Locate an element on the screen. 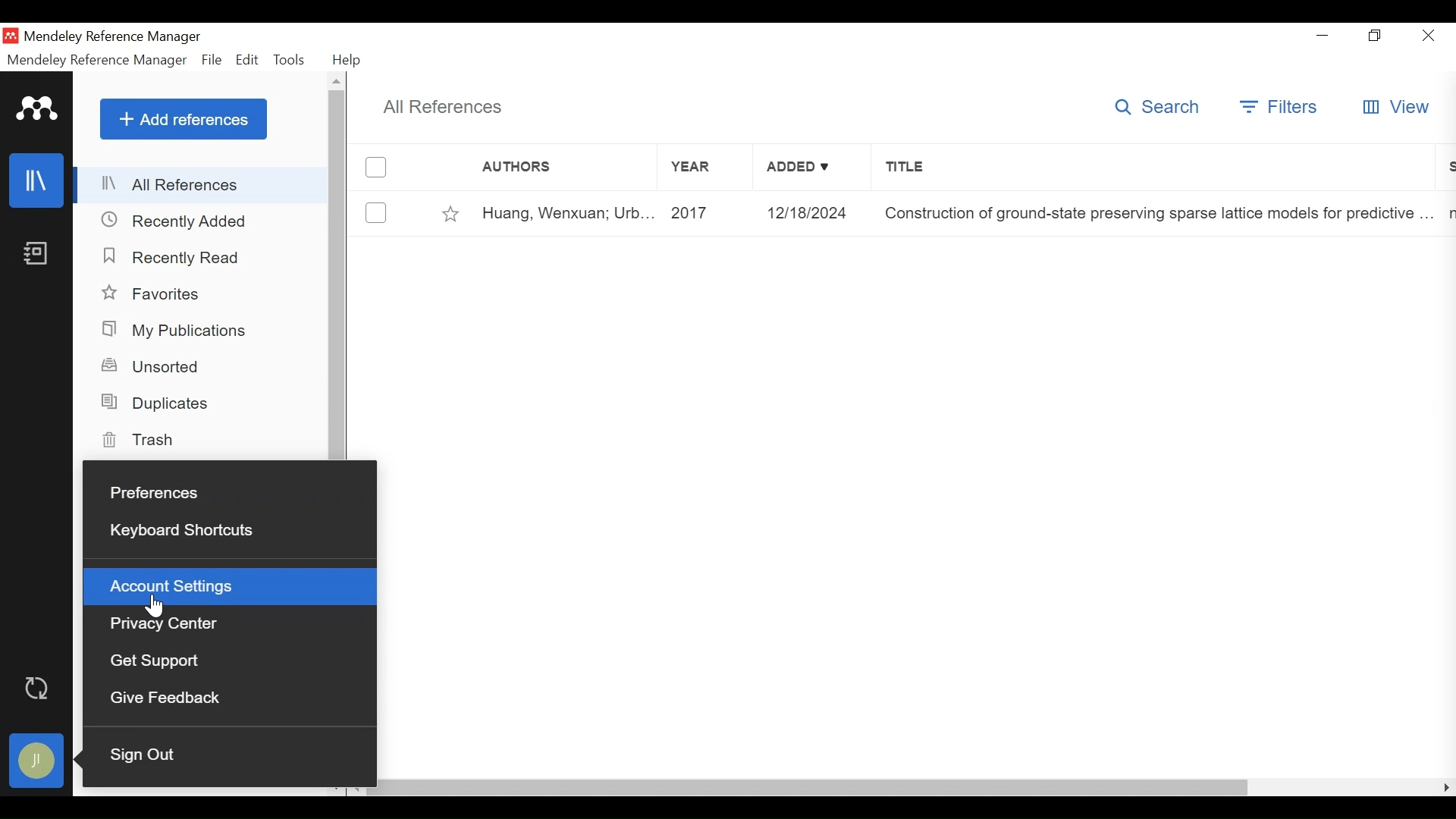 The width and height of the screenshot is (1456, 819). Toggle Favorites is located at coordinates (451, 214).